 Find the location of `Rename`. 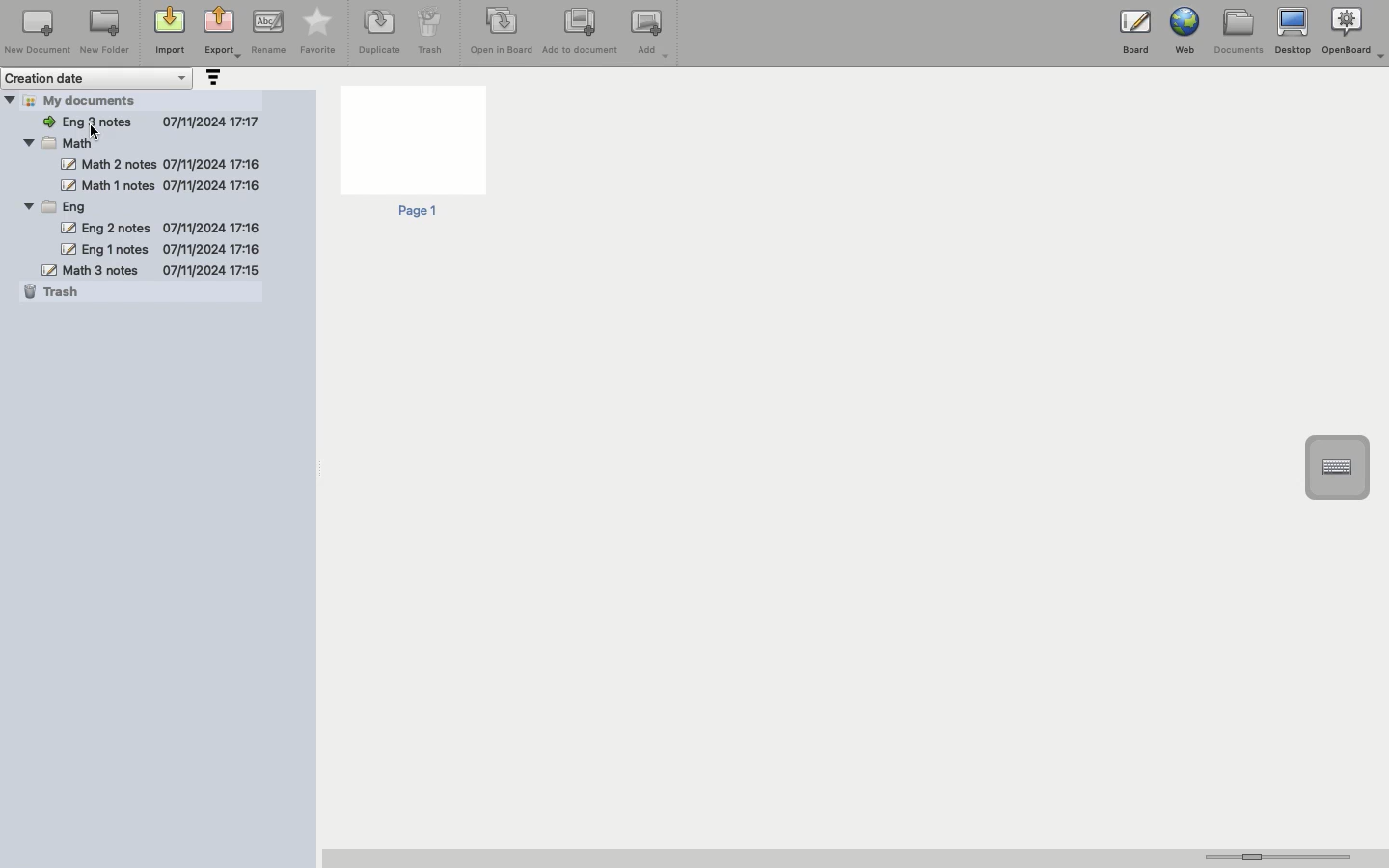

Rename is located at coordinates (268, 31).